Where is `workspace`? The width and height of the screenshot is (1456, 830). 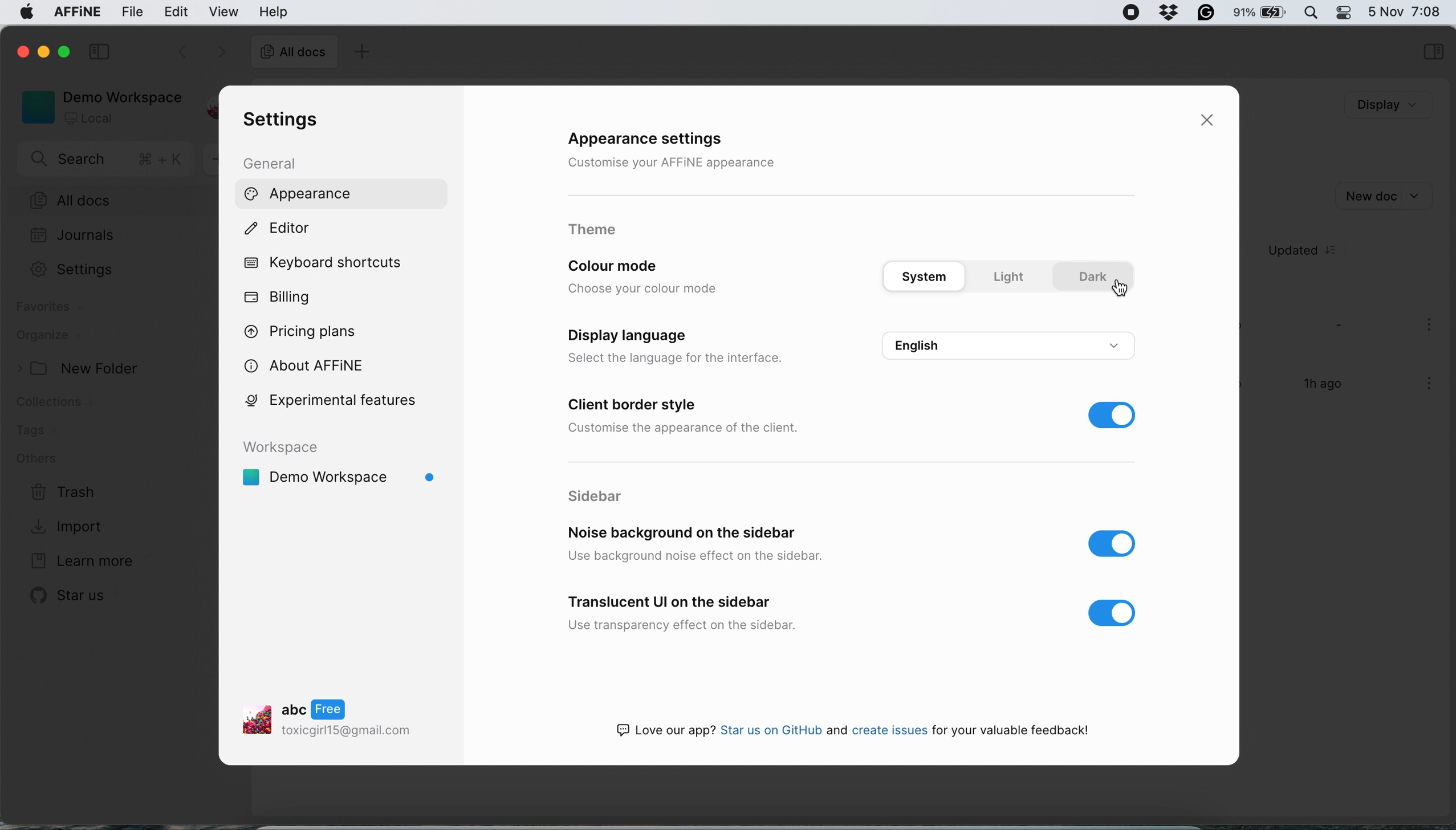 workspace is located at coordinates (350, 477).